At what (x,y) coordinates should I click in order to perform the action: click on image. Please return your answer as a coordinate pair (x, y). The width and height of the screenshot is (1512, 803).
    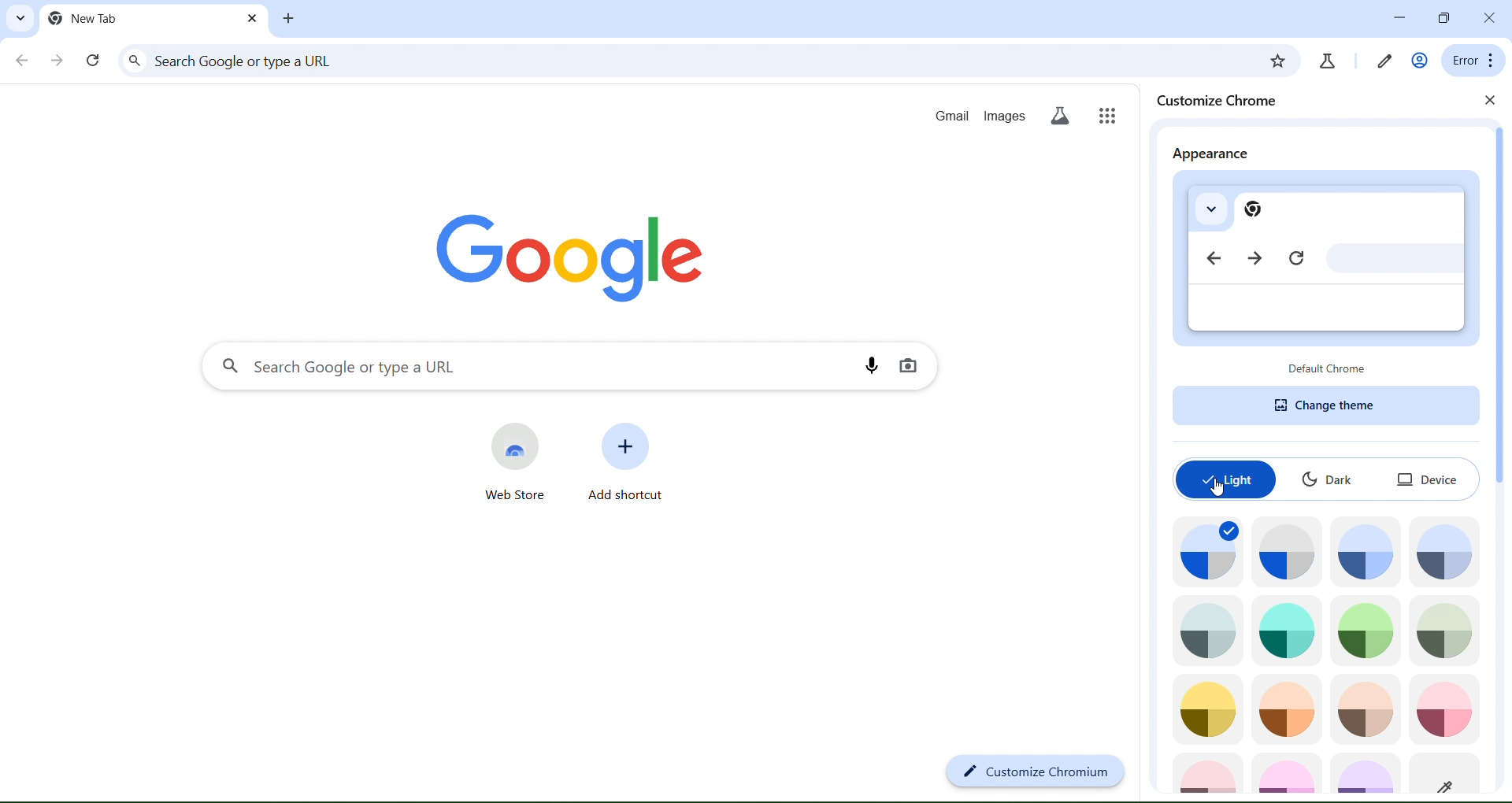
    Looking at the image, I should click on (1367, 629).